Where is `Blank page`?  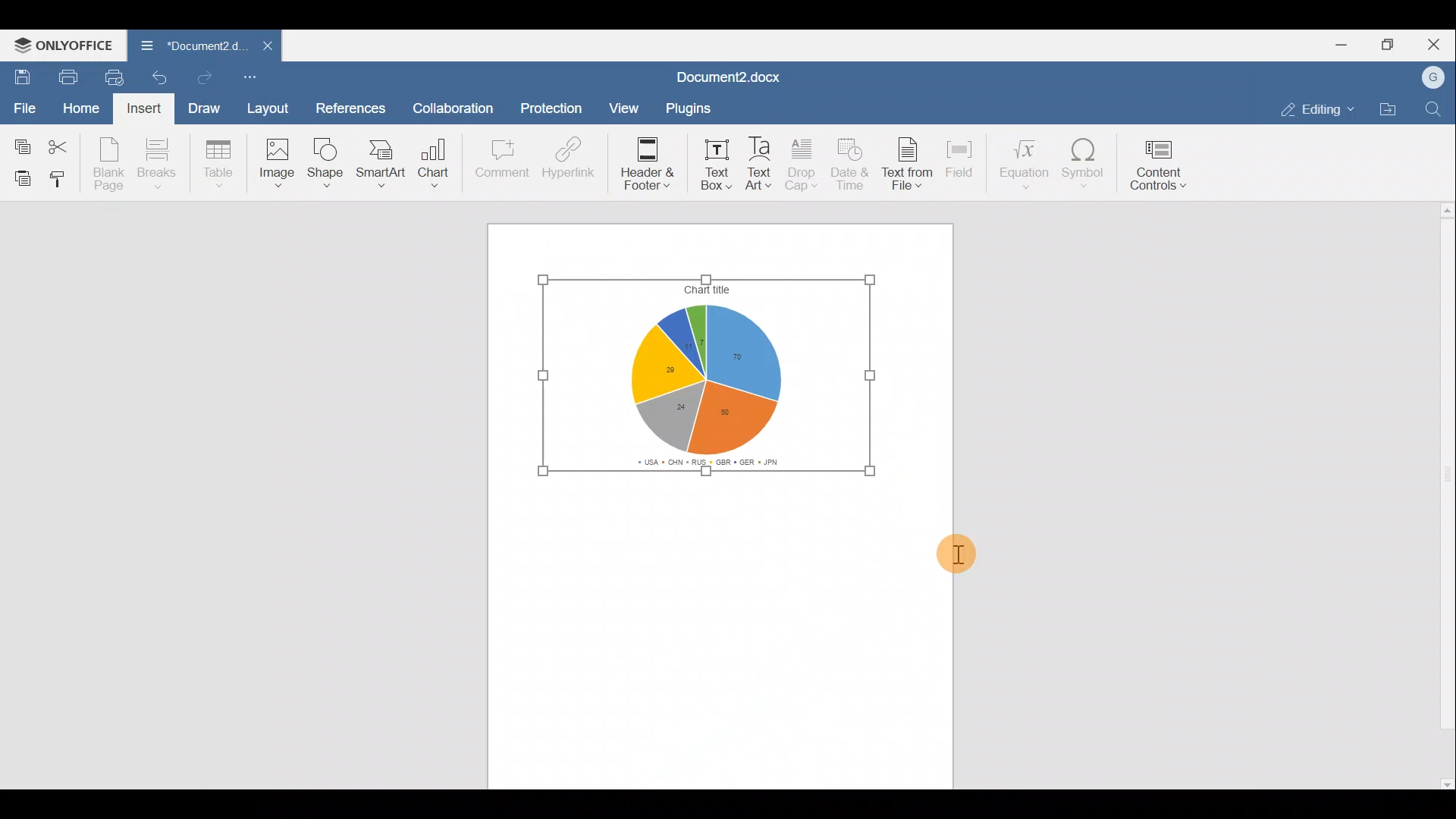
Blank page is located at coordinates (105, 162).